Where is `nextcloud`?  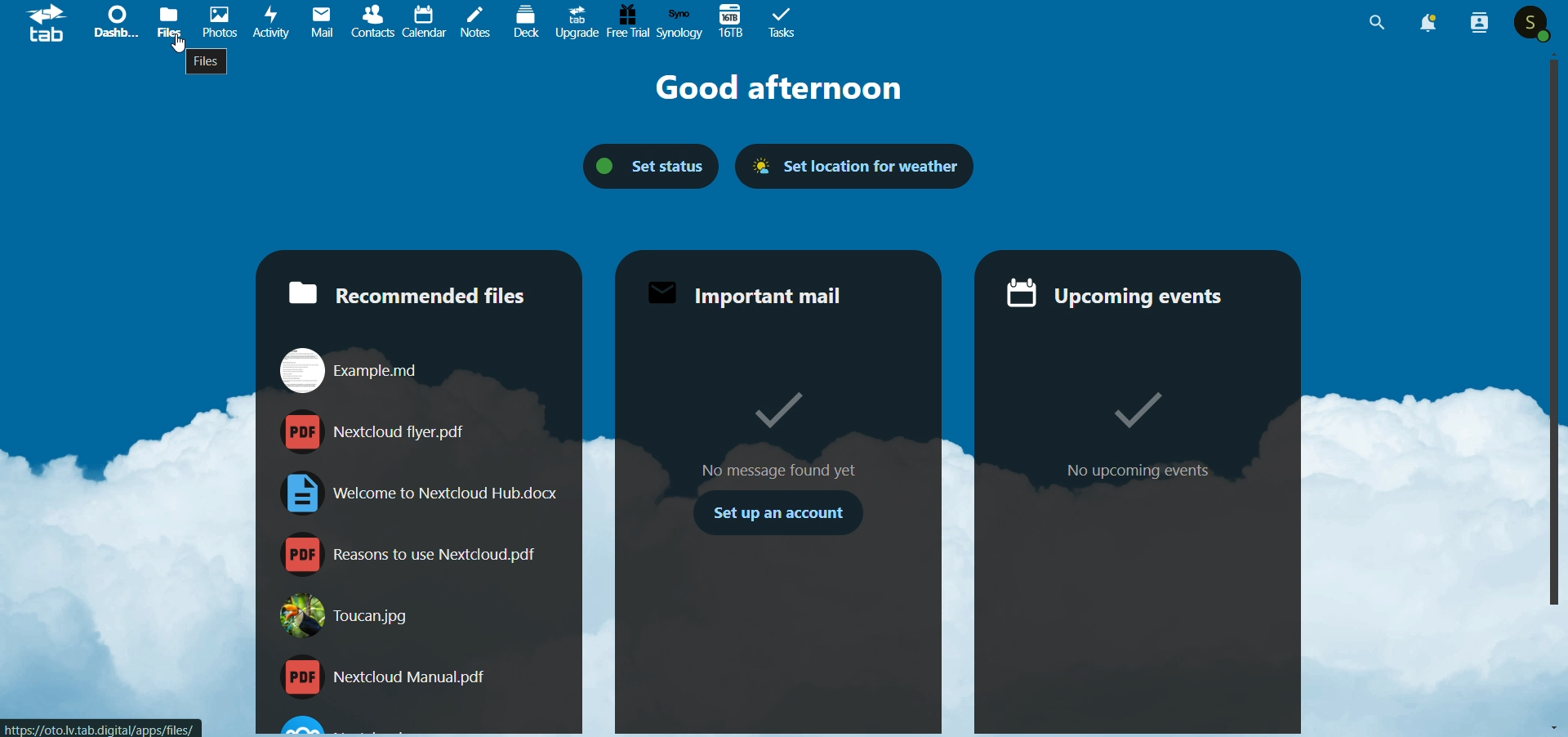
nextcloud is located at coordinates (385, 677).